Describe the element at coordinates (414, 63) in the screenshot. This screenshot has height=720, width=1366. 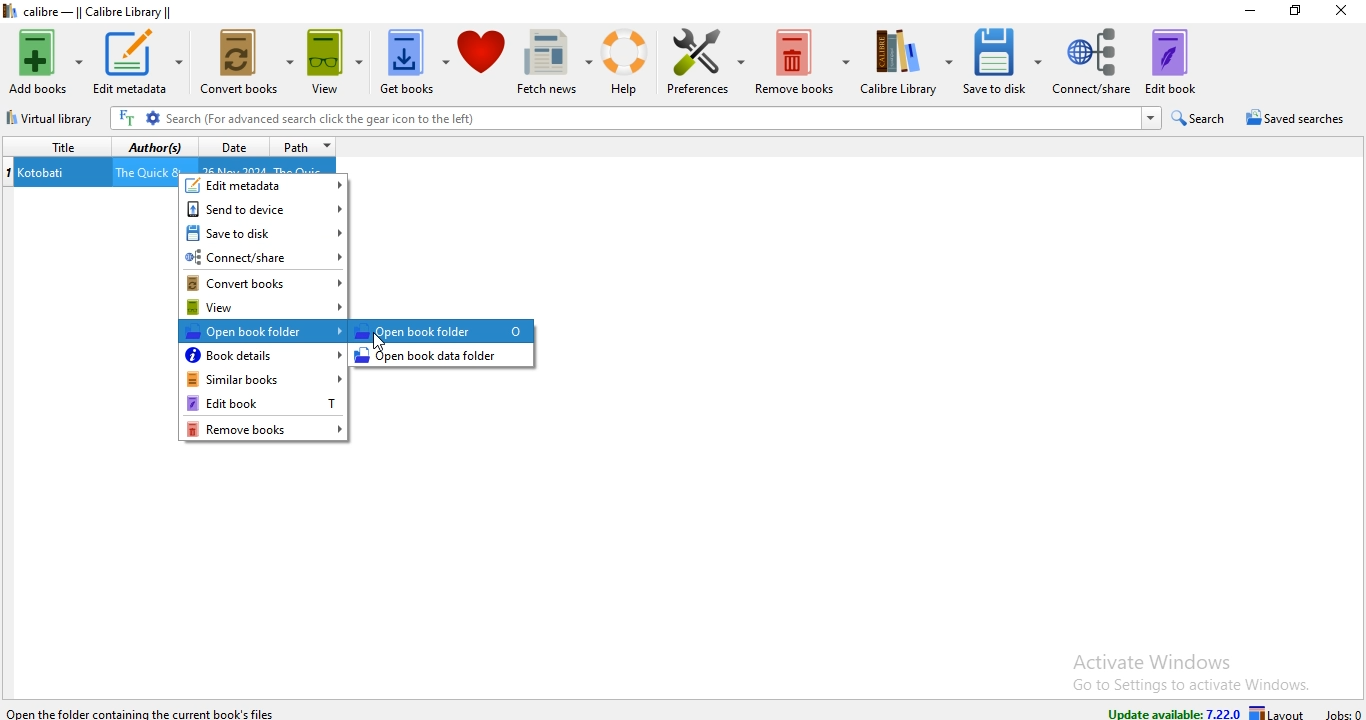
I see `get books` at that location.